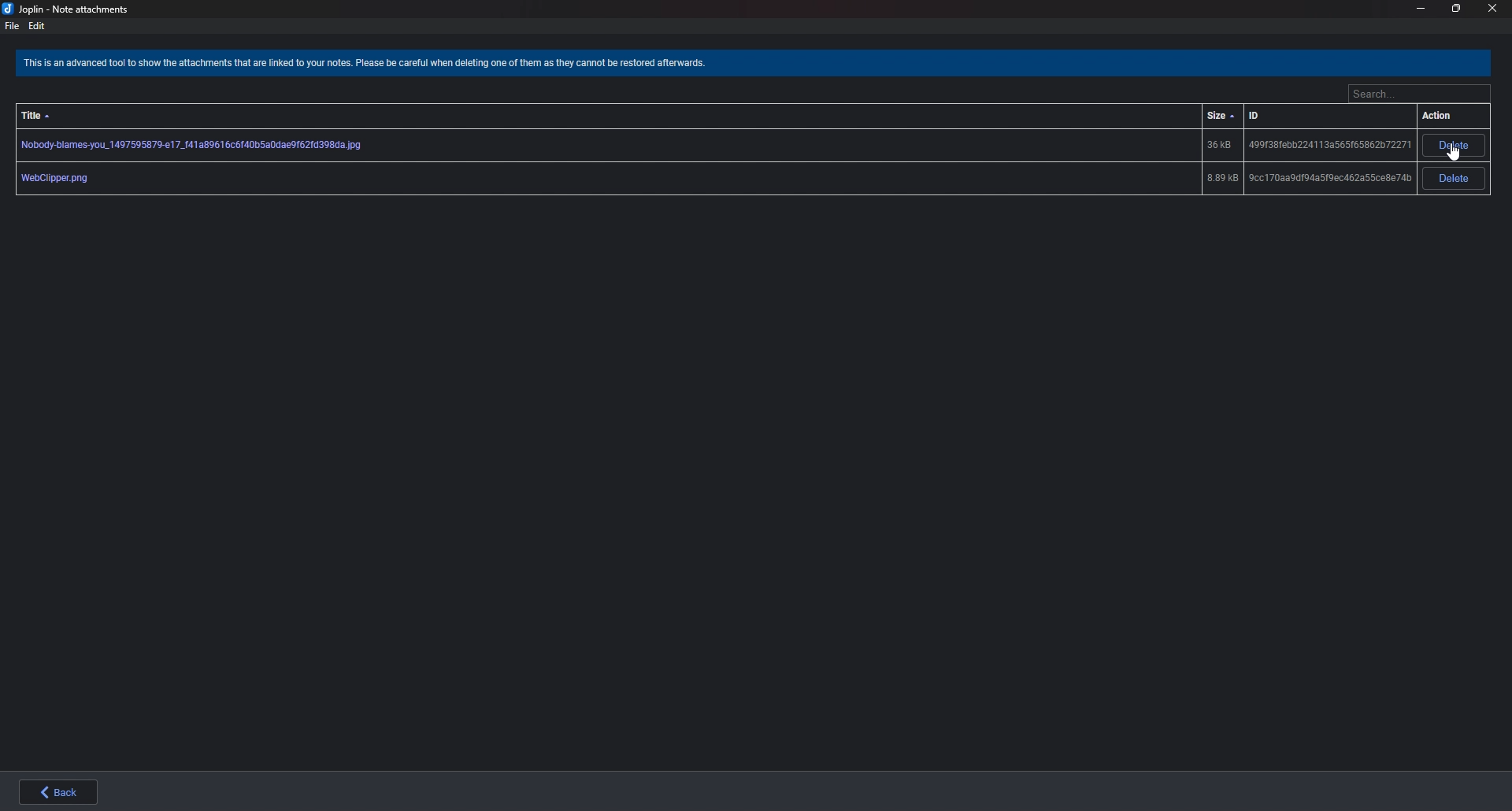  Describe the element at coordinates (54, 791) in the screenshot. I see `back` at that location.